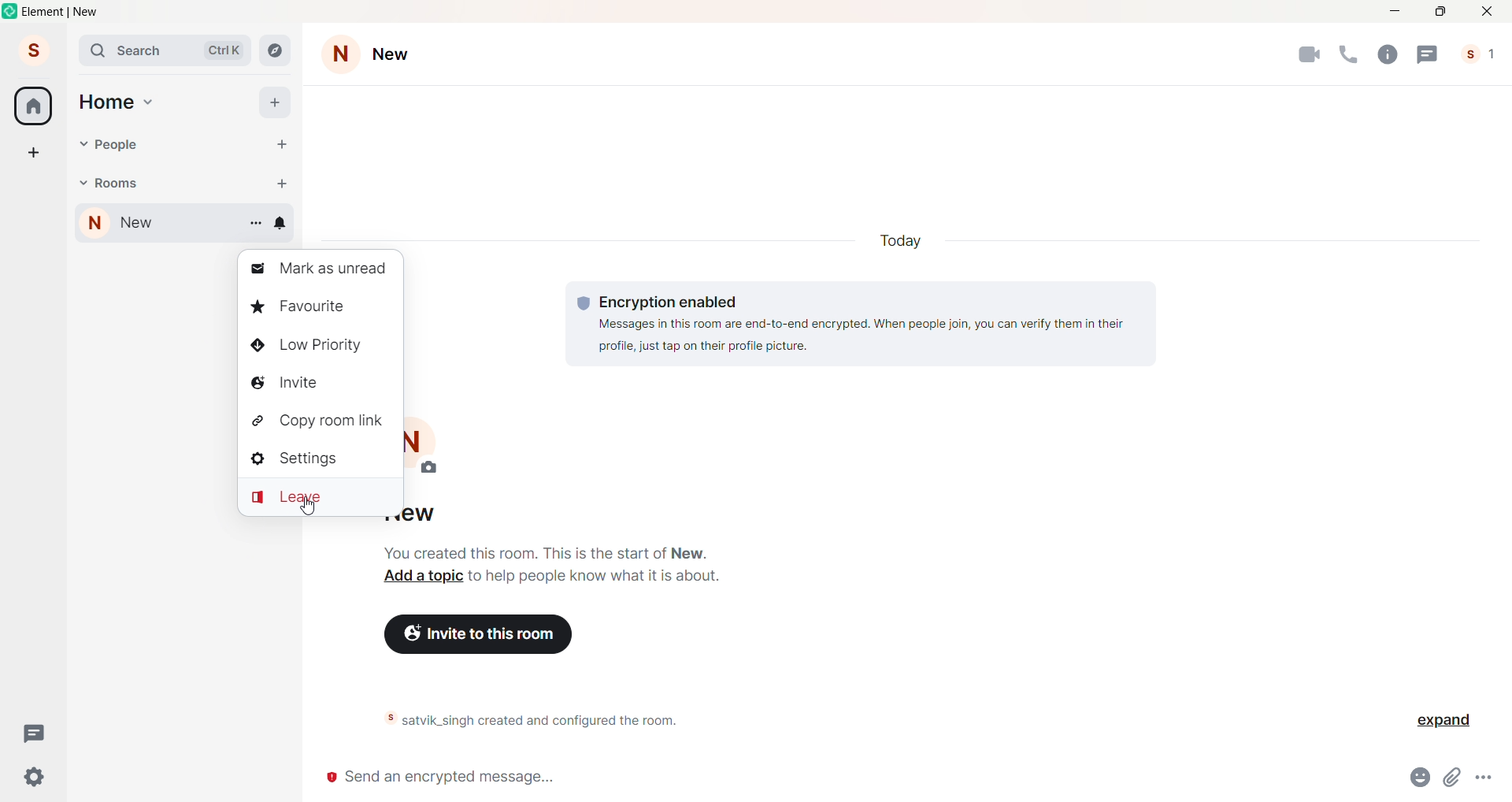  Describe the element at coordinates (81, 144) in the screenshot. I see `Drop Down` at that location.